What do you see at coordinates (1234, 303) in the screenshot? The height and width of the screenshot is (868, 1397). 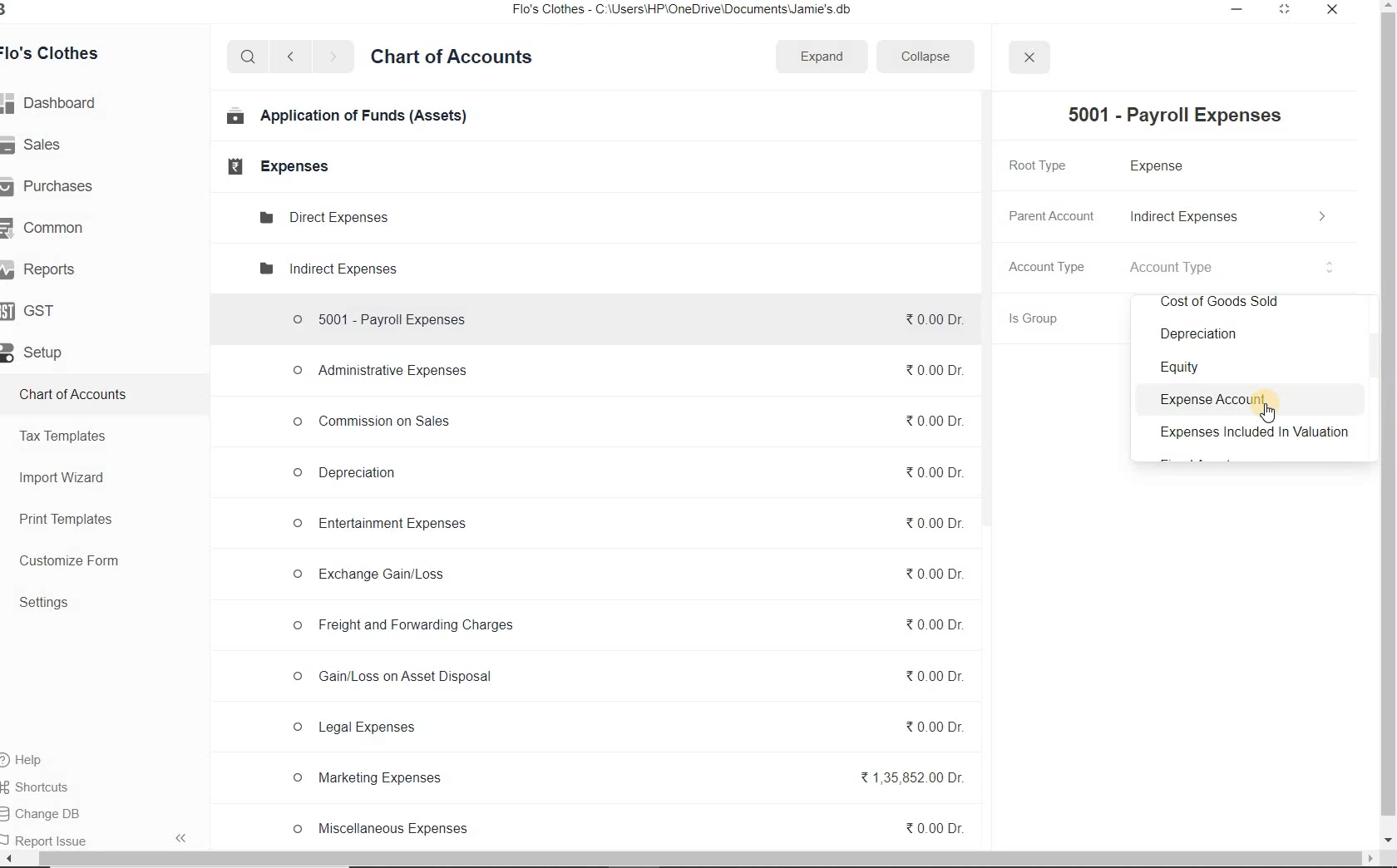 I see `Cost of Goods Sold` at bounding box center [1234, 303].